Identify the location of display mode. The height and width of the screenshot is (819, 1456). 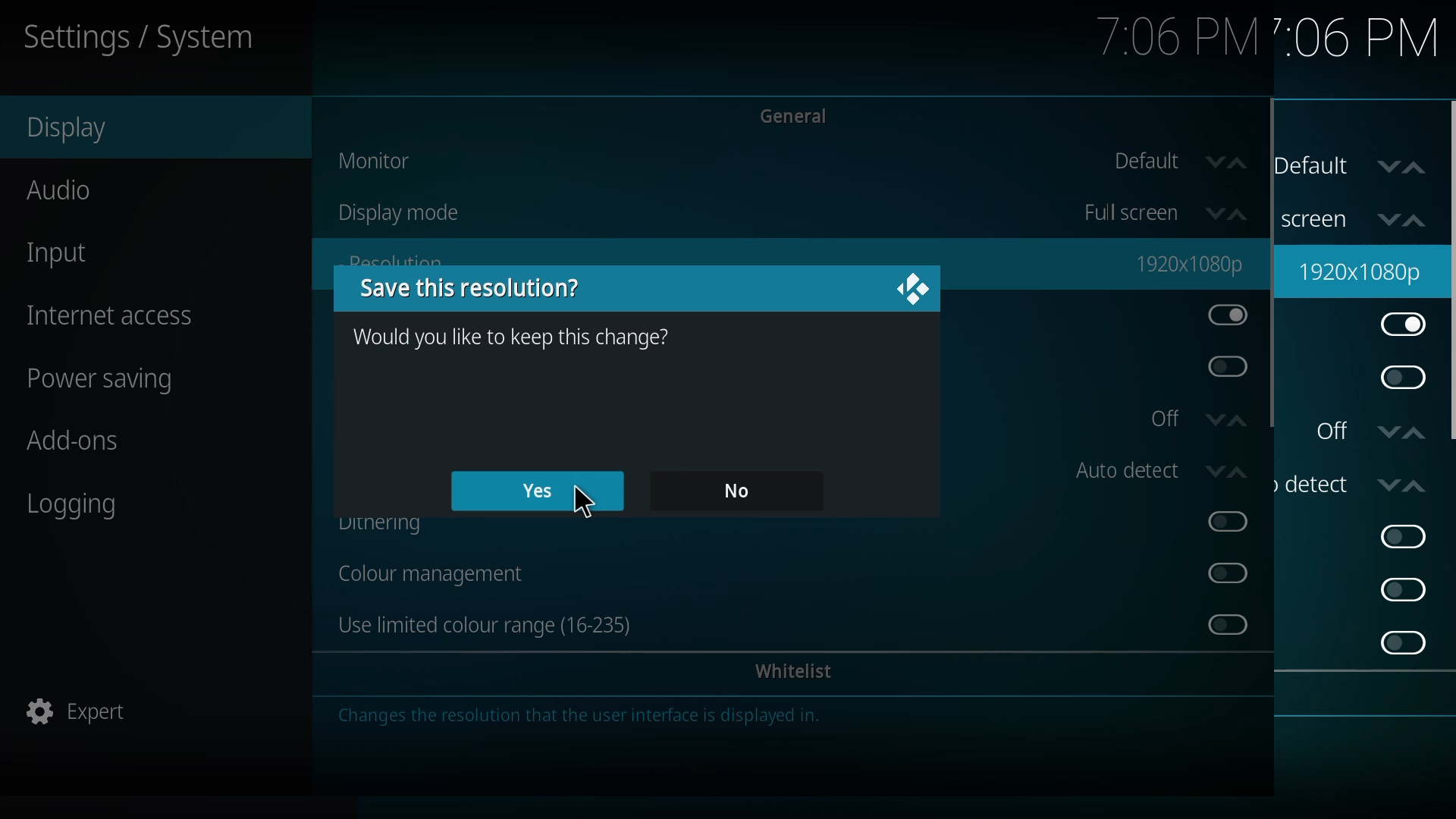
(421, 213).